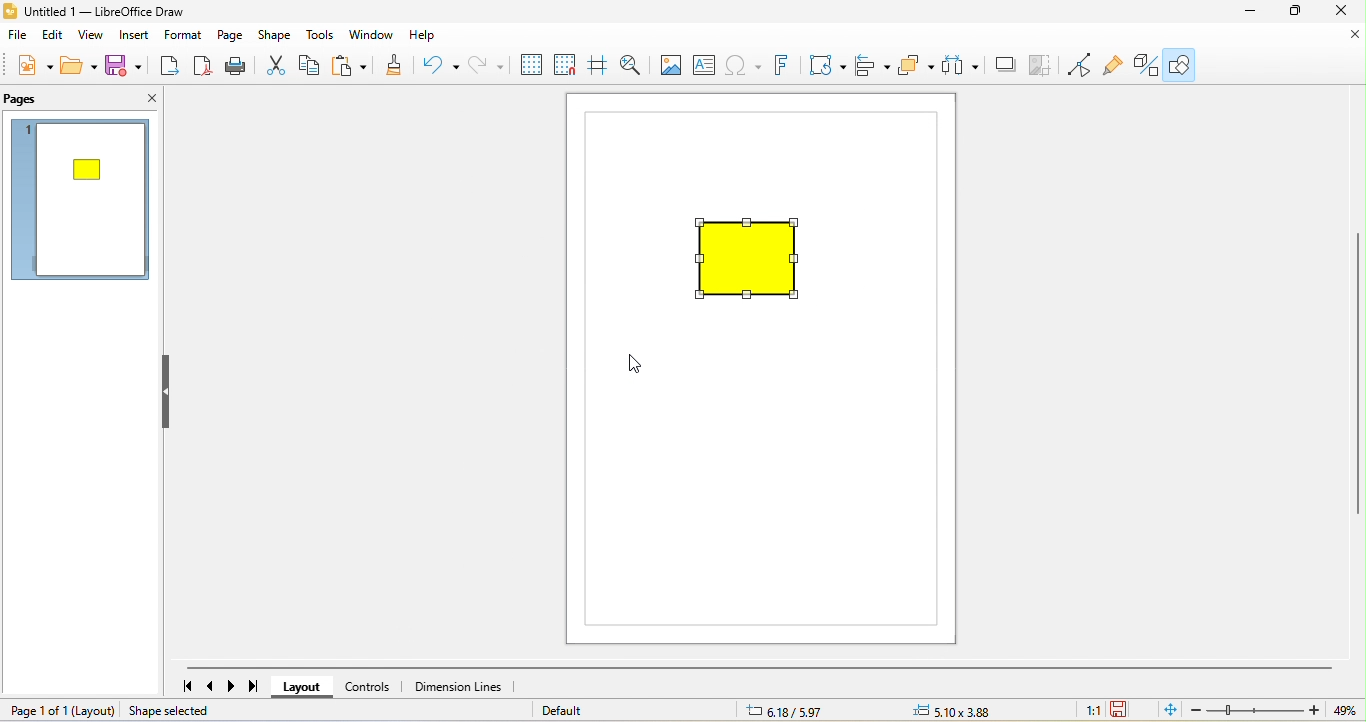  I want to click on 1:1, so click(1093, 712).